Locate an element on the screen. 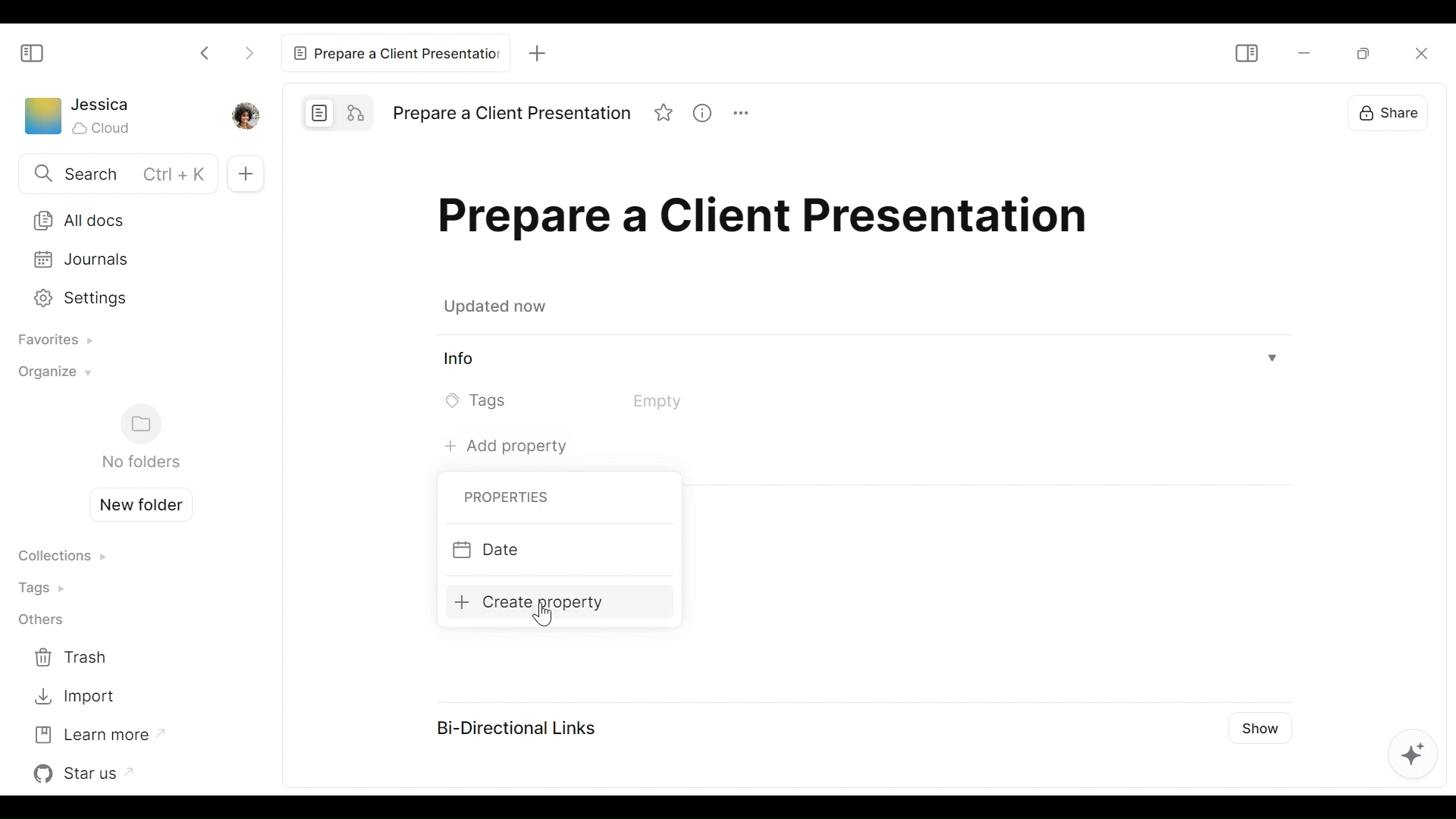  View Information is located at coordinates (861, 360).